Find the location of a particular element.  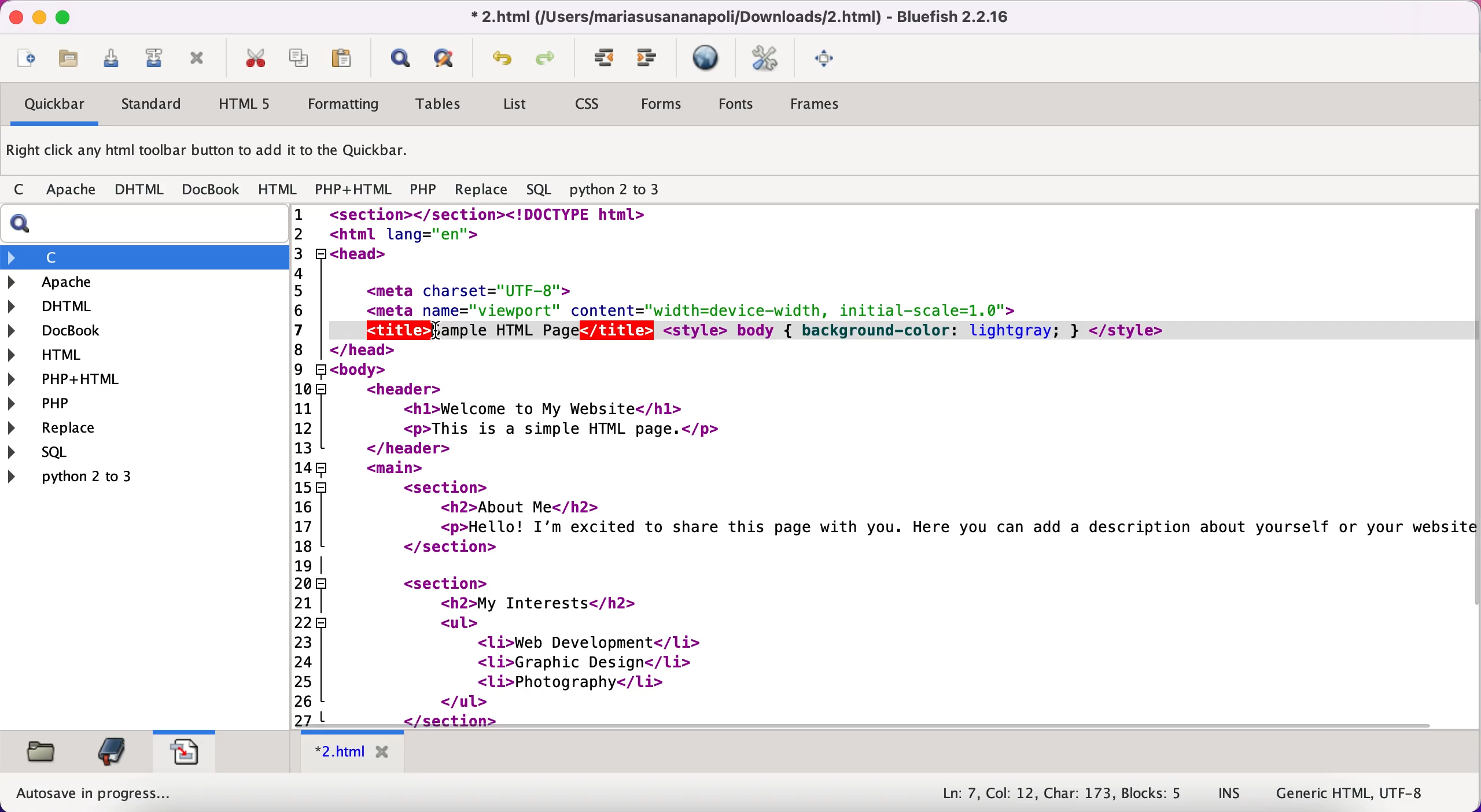

html is located at coordinates (279, 190).